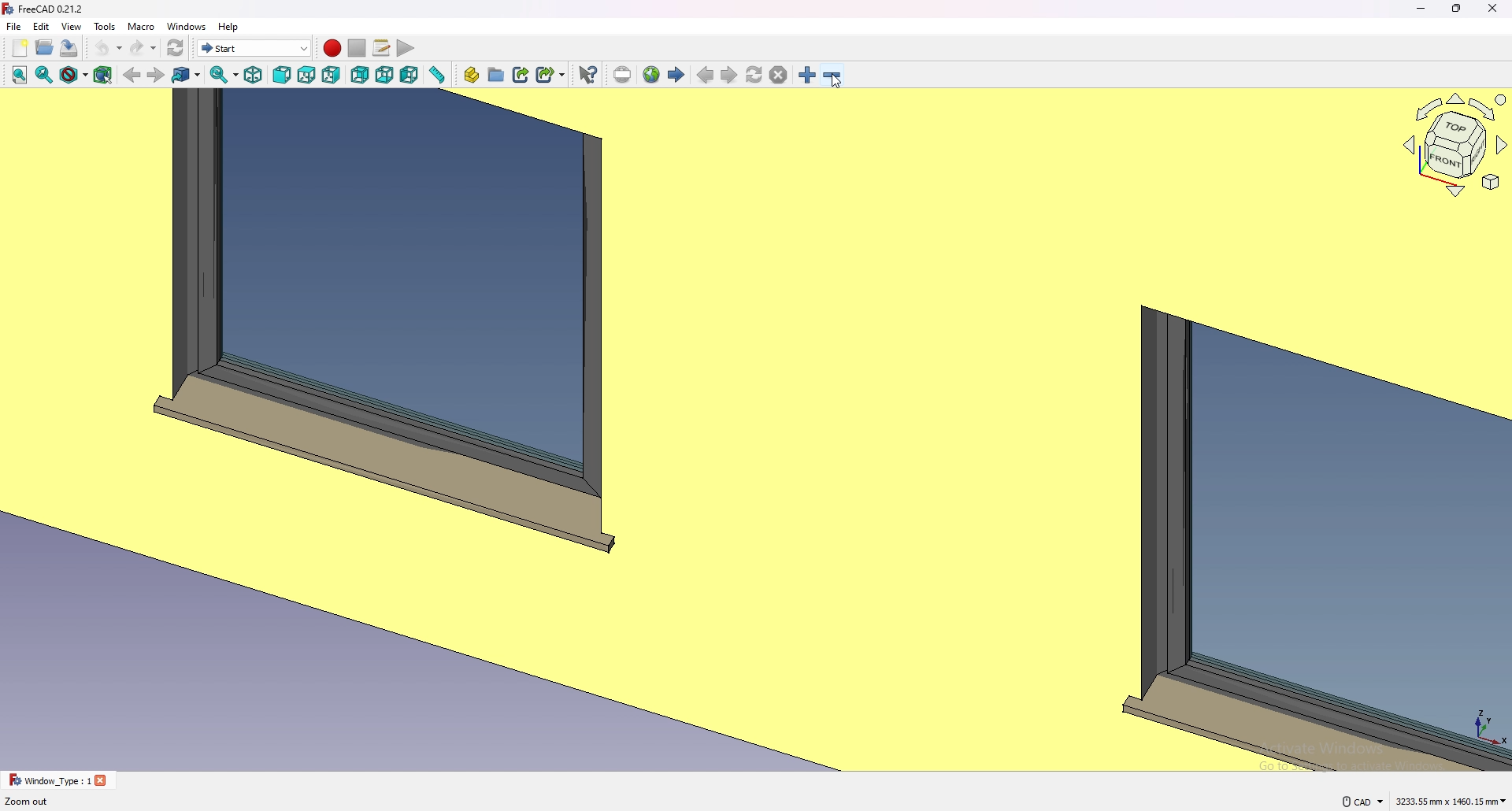  Describe the element at coordinates (1493, 9) in the screenshot. I see `close` at that location.